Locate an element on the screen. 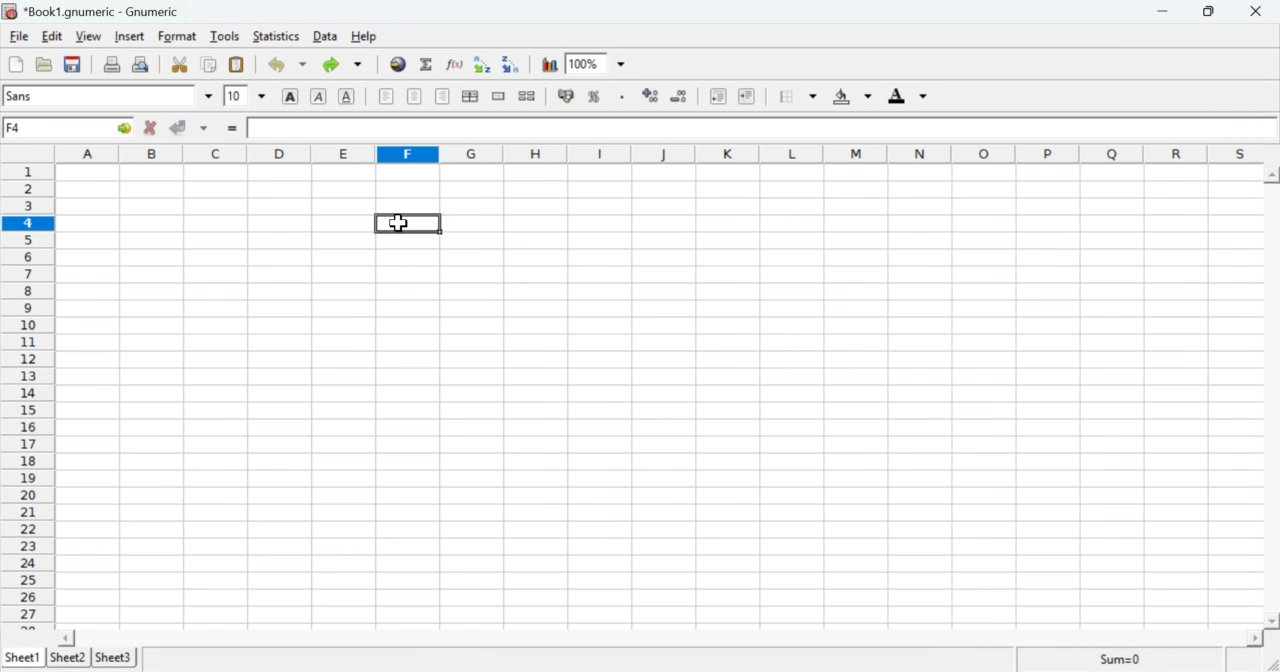 Image resolution: width=1280 pixels, height=672 pixels. Background is located at coordinates (847, 96).